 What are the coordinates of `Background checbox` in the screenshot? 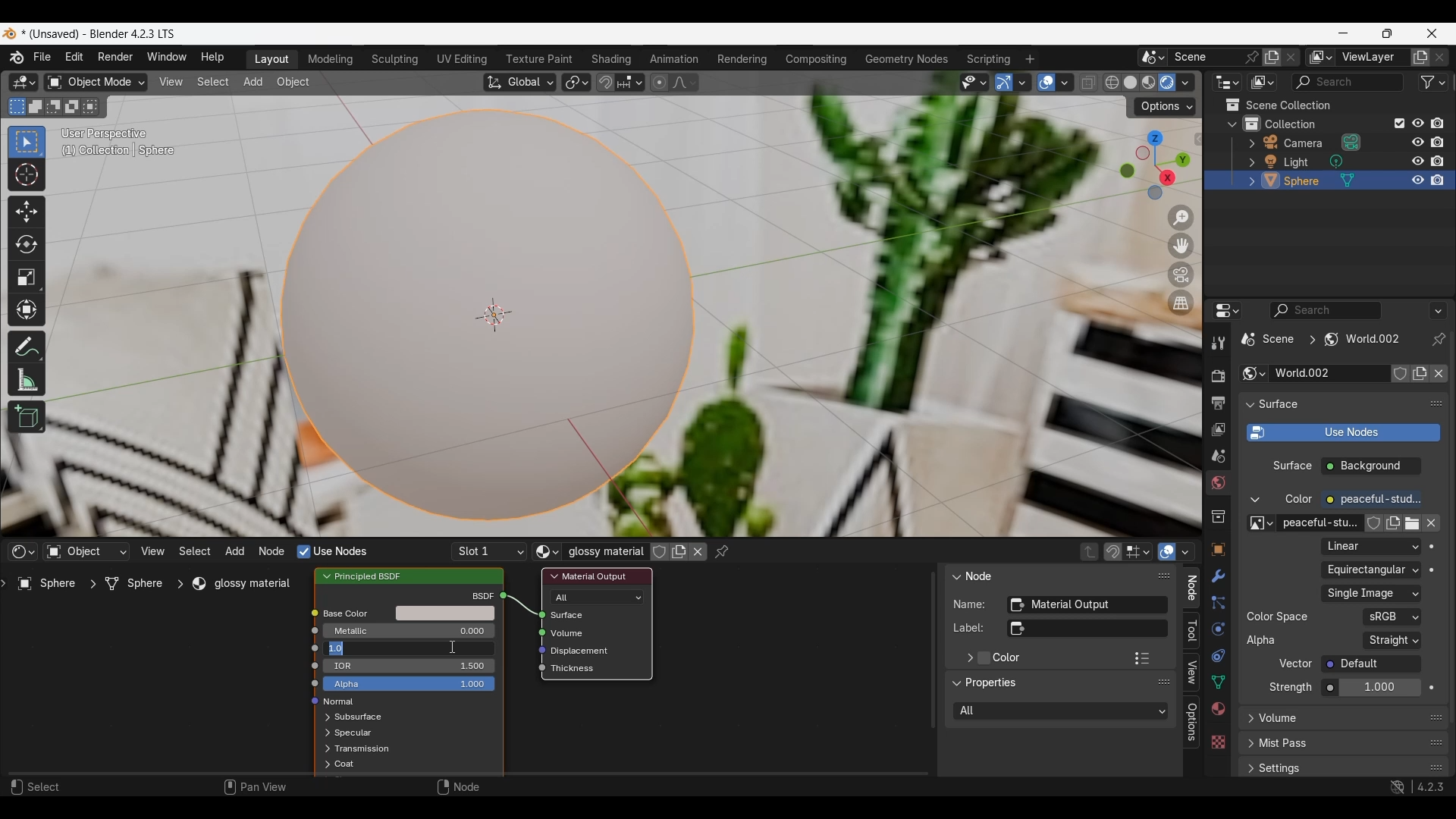 It's located at (1372, 466).